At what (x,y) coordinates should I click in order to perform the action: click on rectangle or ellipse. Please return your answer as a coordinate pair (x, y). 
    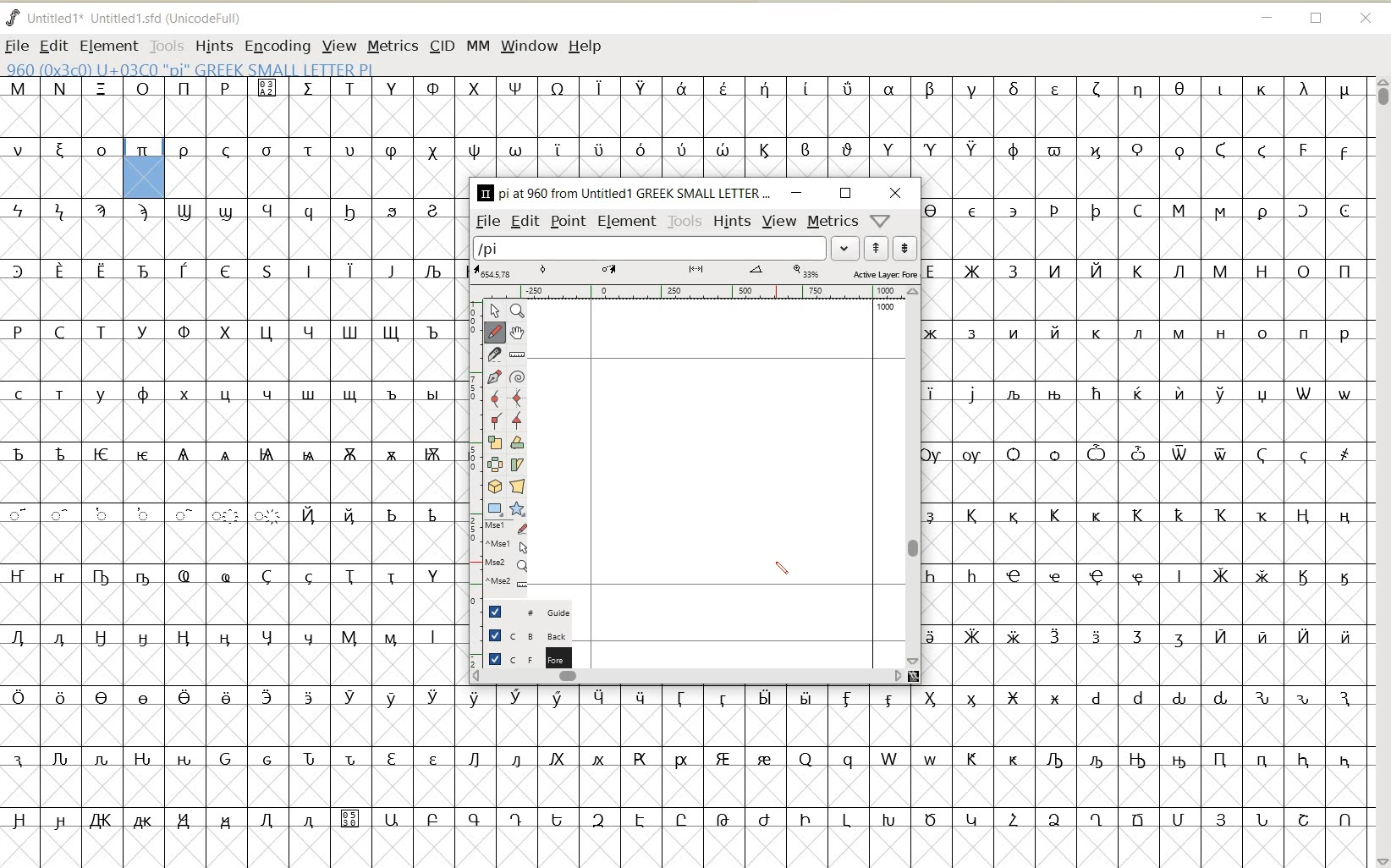
    Looking at the image, I should click on (494, 509).